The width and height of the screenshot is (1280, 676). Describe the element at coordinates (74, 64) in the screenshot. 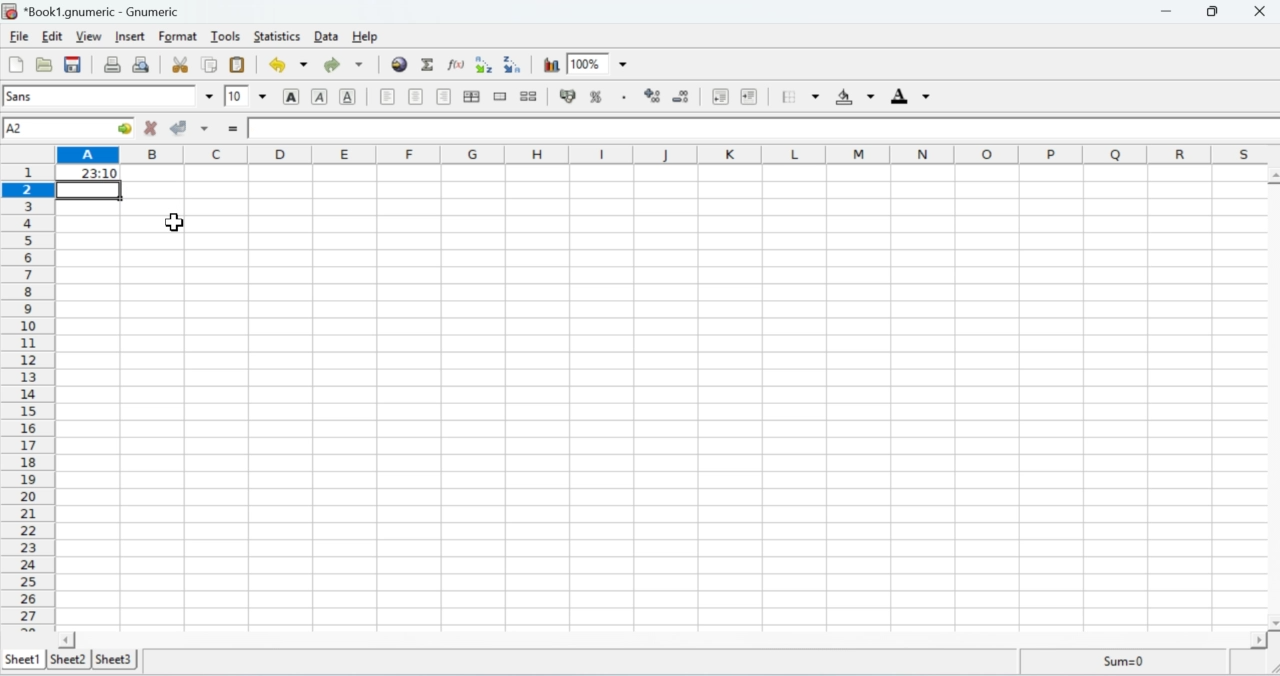

I see `Save the current workbook` at that location.